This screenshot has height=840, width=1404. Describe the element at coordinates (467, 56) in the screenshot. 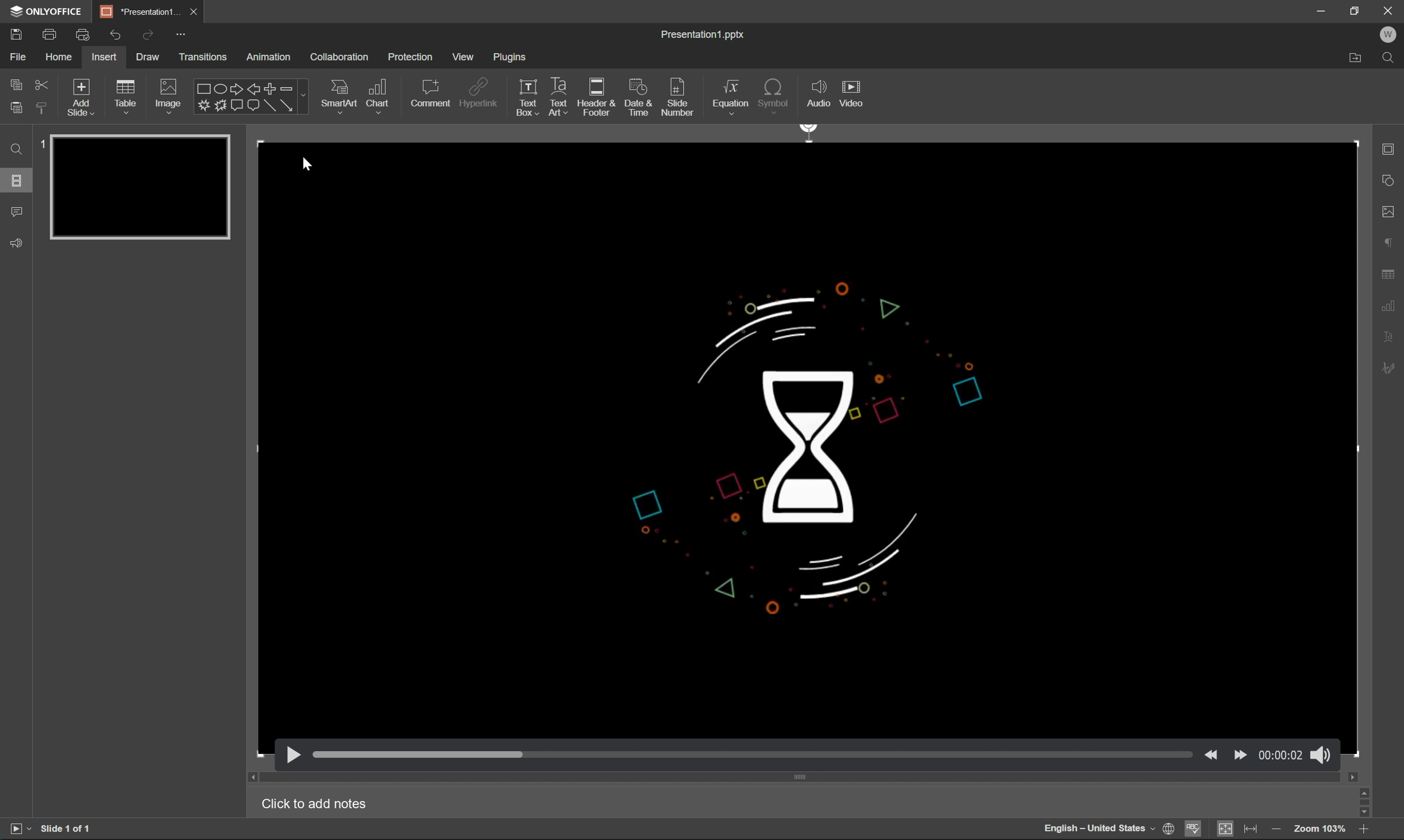

I see `view` at that location.